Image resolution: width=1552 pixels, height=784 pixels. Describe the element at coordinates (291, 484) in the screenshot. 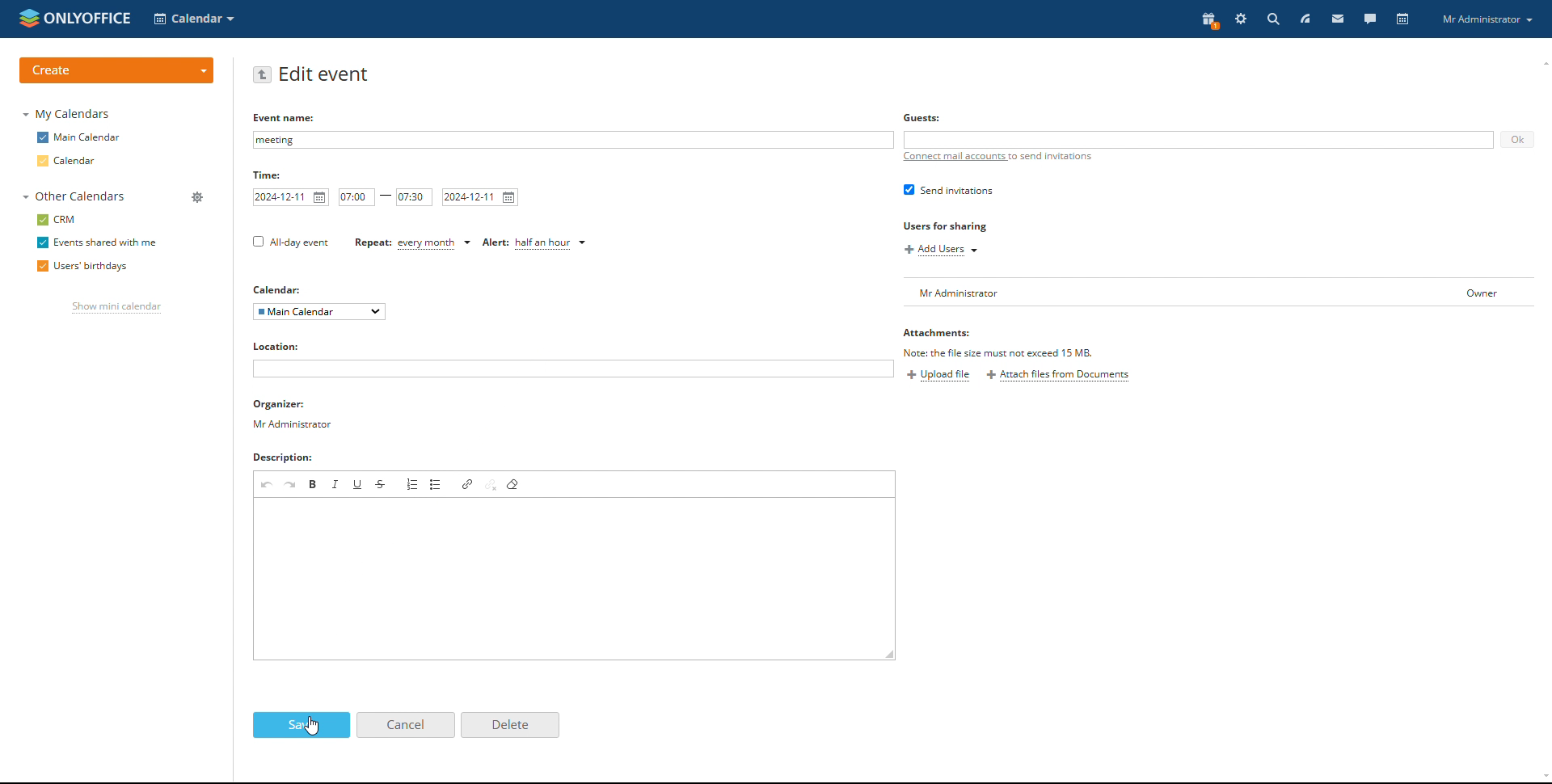

I see `redo` at that location.